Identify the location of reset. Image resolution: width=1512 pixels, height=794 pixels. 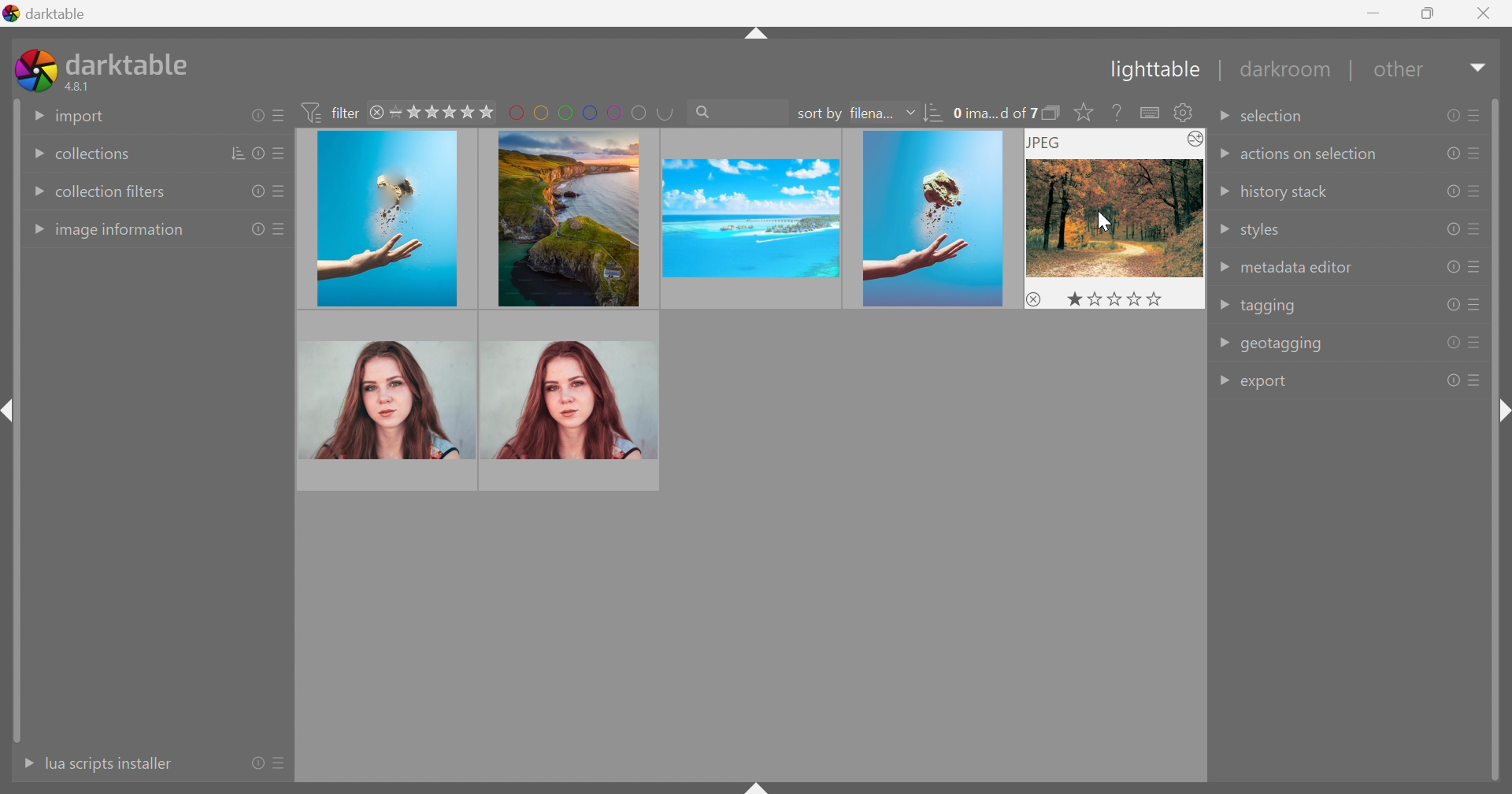
(1452, 228).